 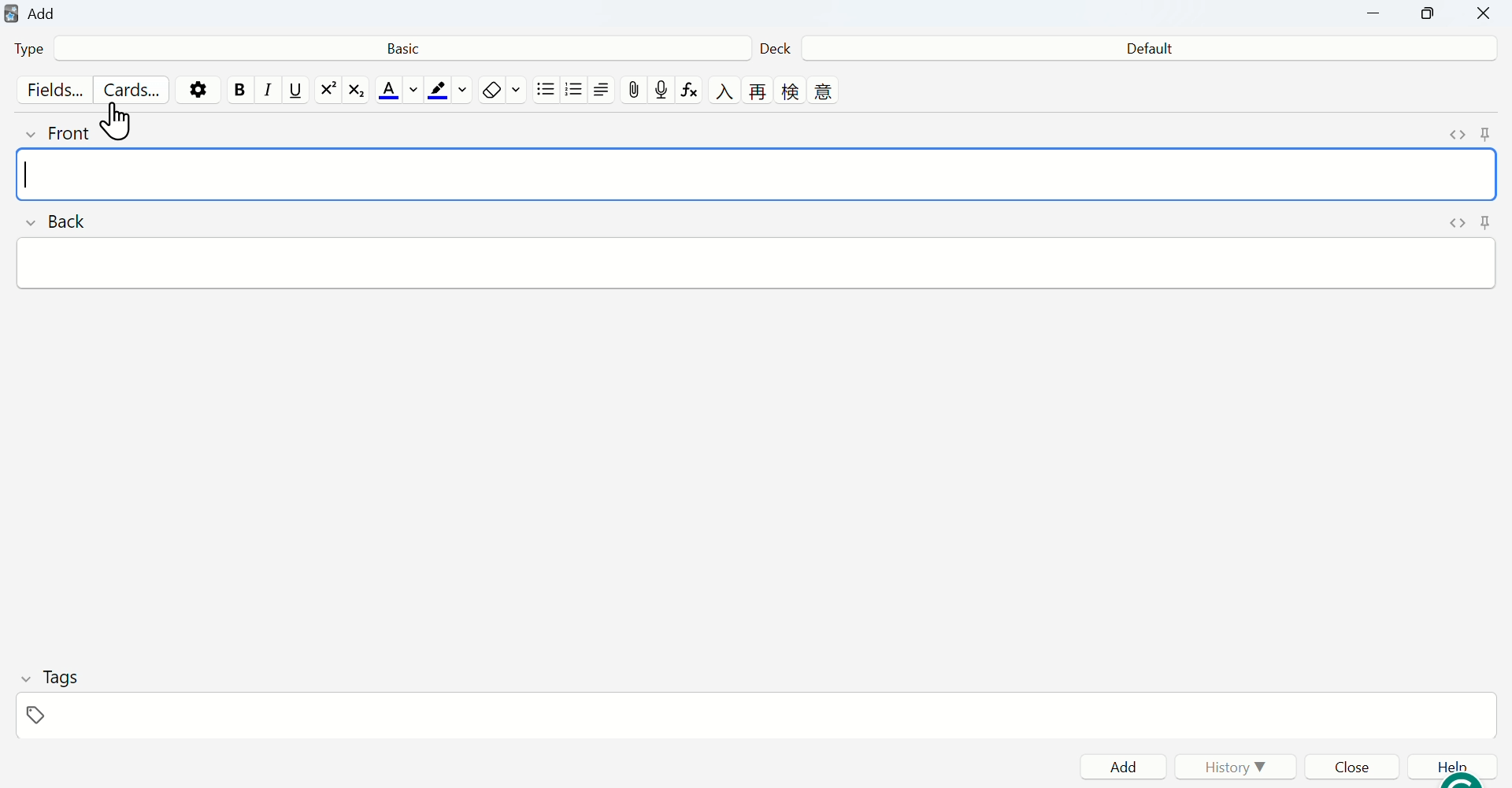 What do you see at coordinates (239, 90) in the screenshot?
I see `bold text` at bounding box center [239, 90].